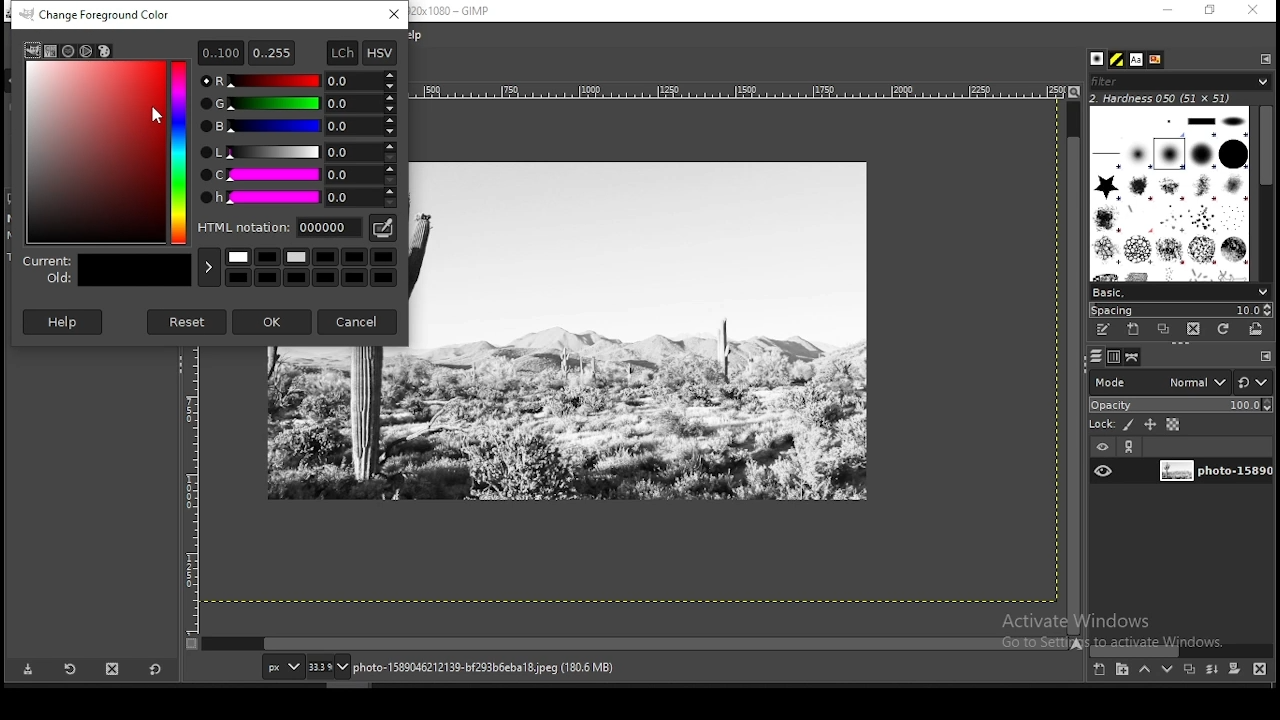  I want to click on spacing, so click(1180, 310).